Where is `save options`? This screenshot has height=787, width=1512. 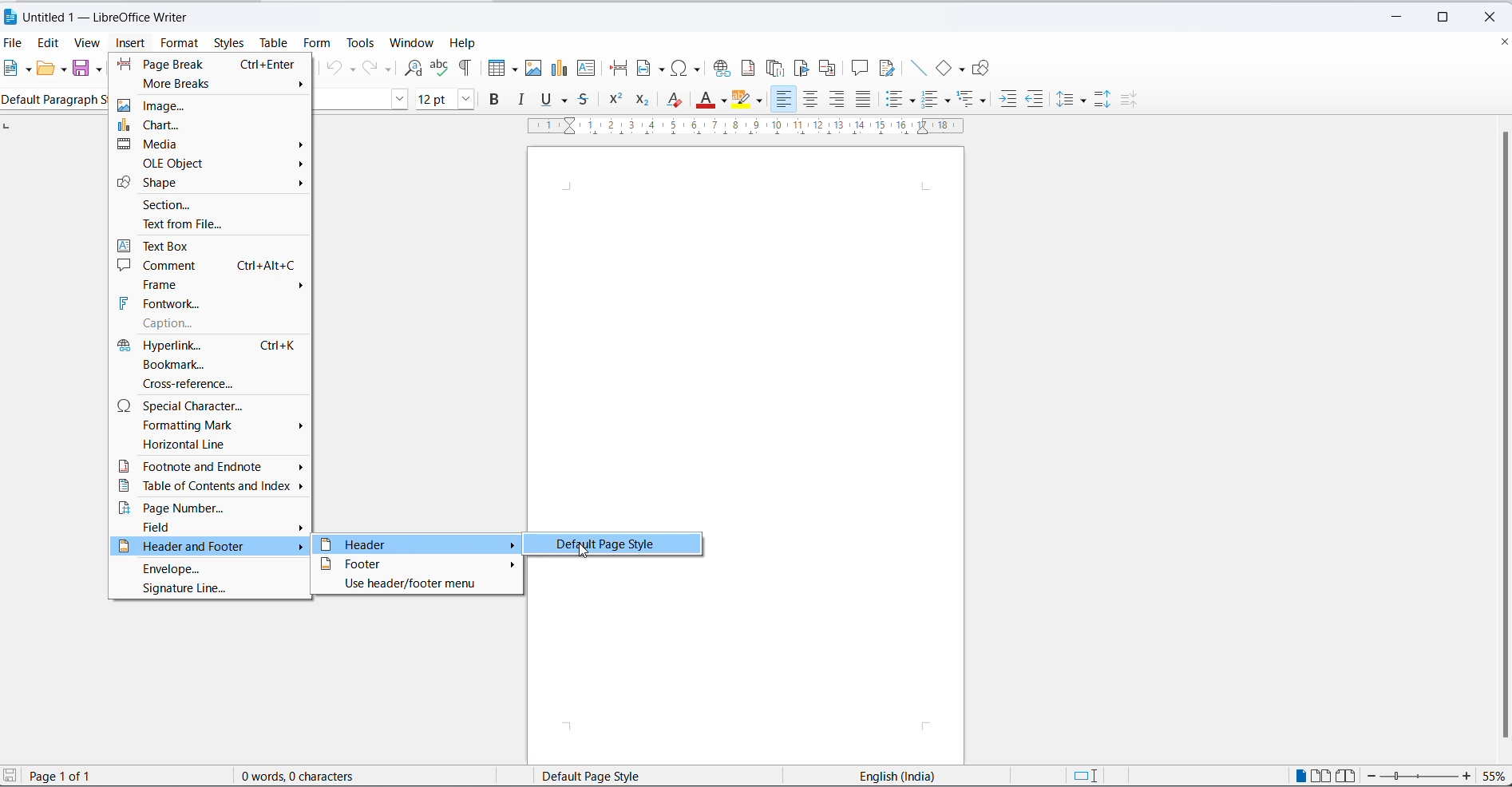
save options is located at coordinates (100, 69).